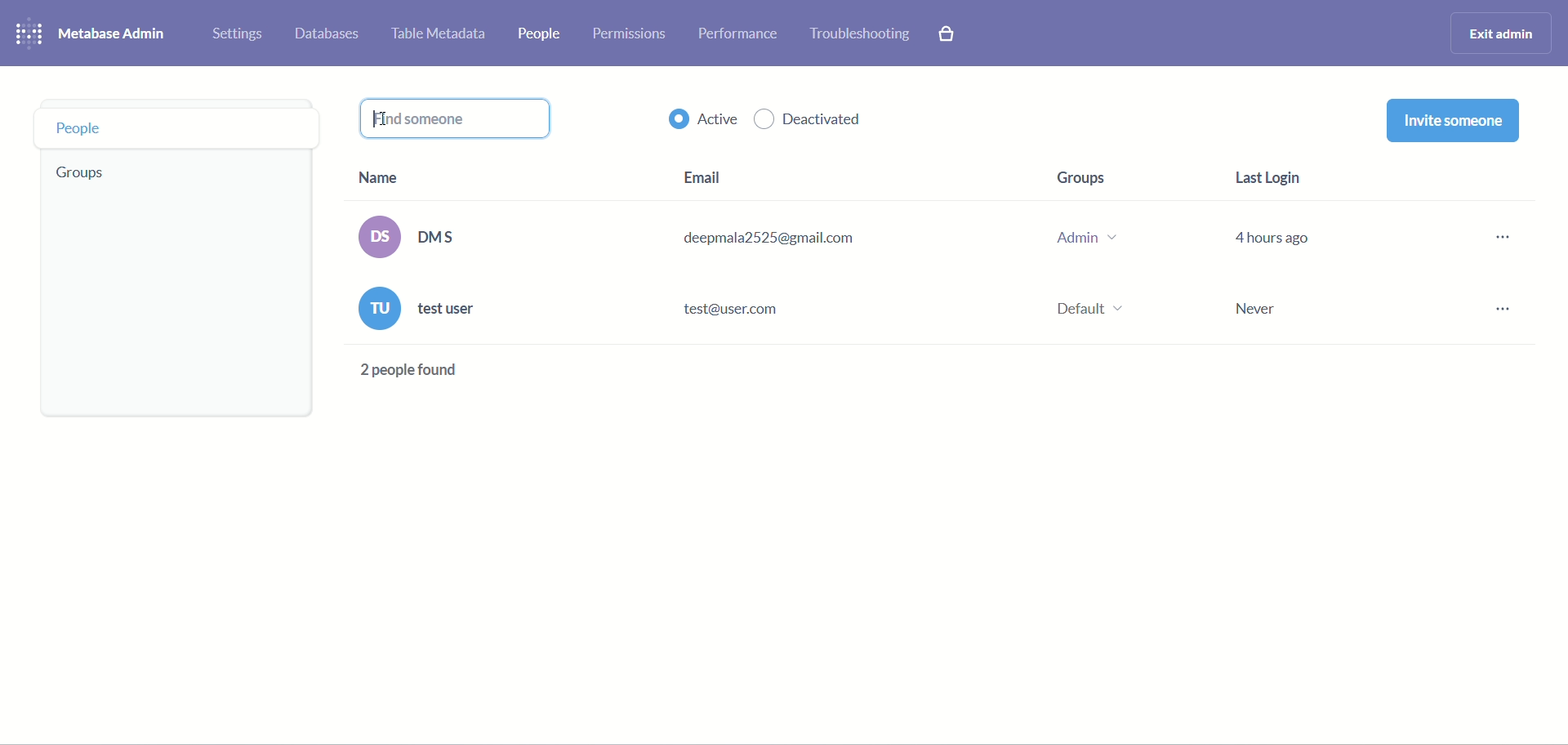  Describe the element at coordinates (811, 123) in the screenshot. I see `deactivated` at that location.